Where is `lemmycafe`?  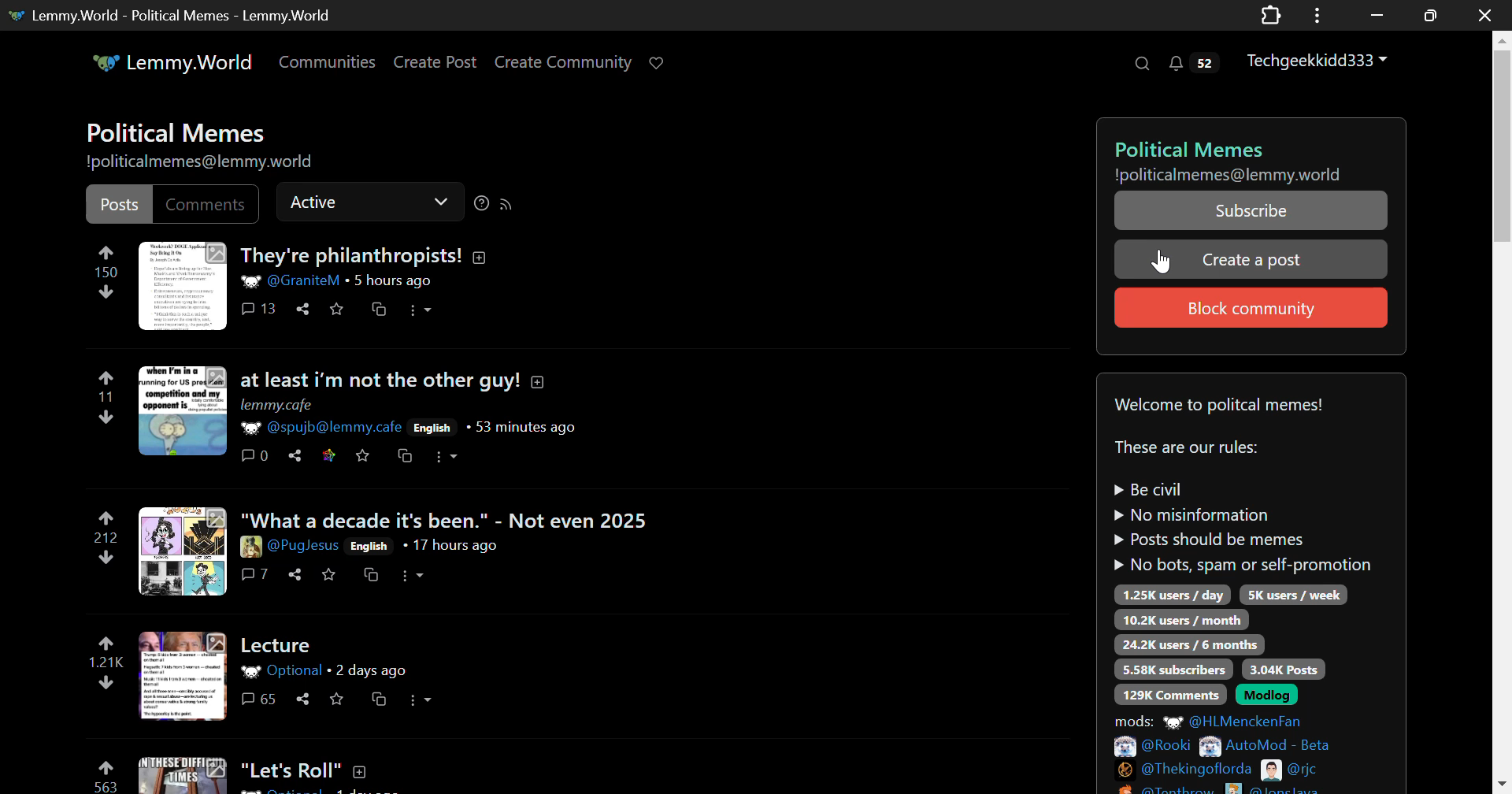
lemmycafe is located at coordinates (274, 404).